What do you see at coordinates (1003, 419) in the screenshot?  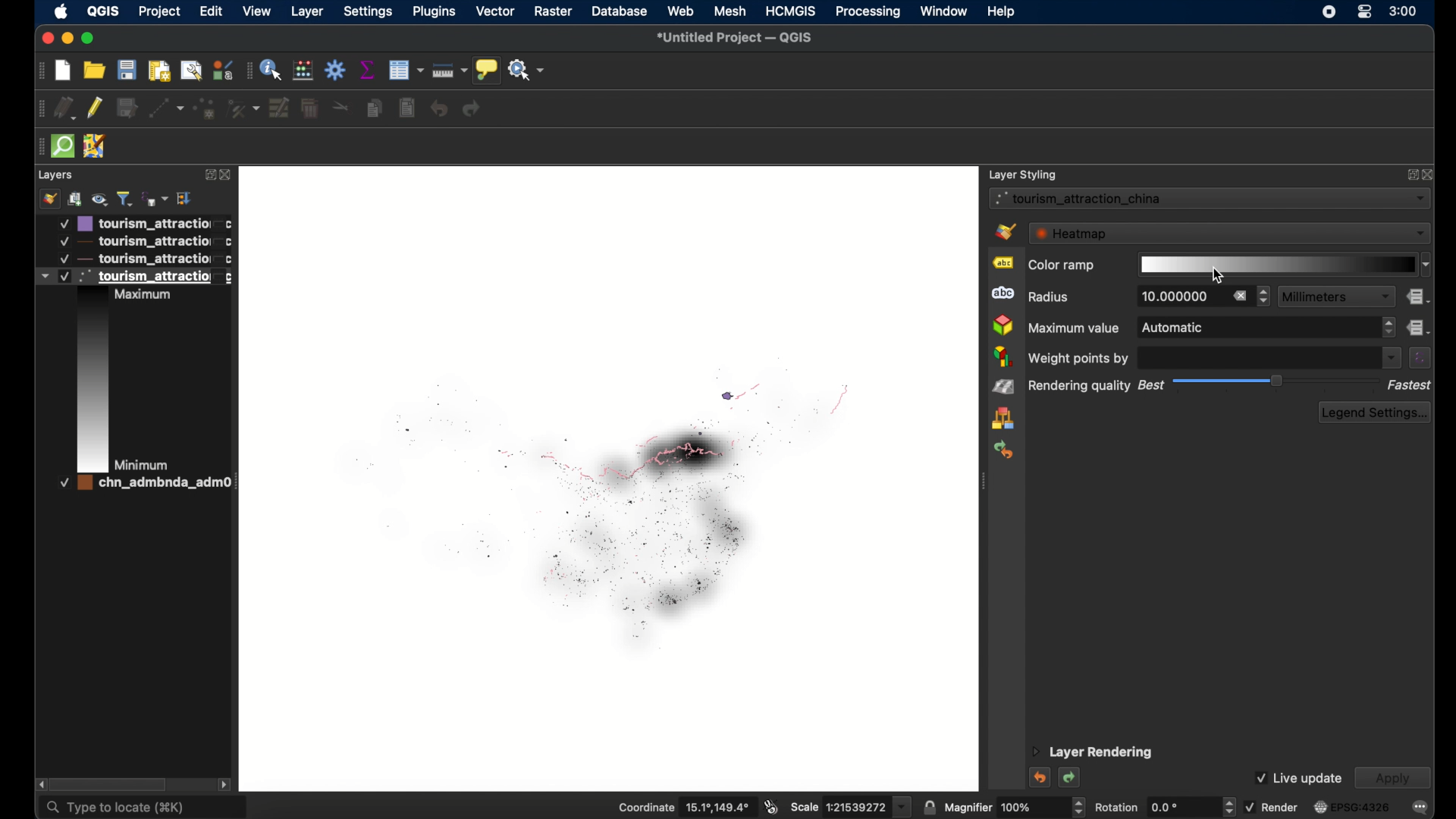 I see `style manager` at bounding box center [1003, 419].